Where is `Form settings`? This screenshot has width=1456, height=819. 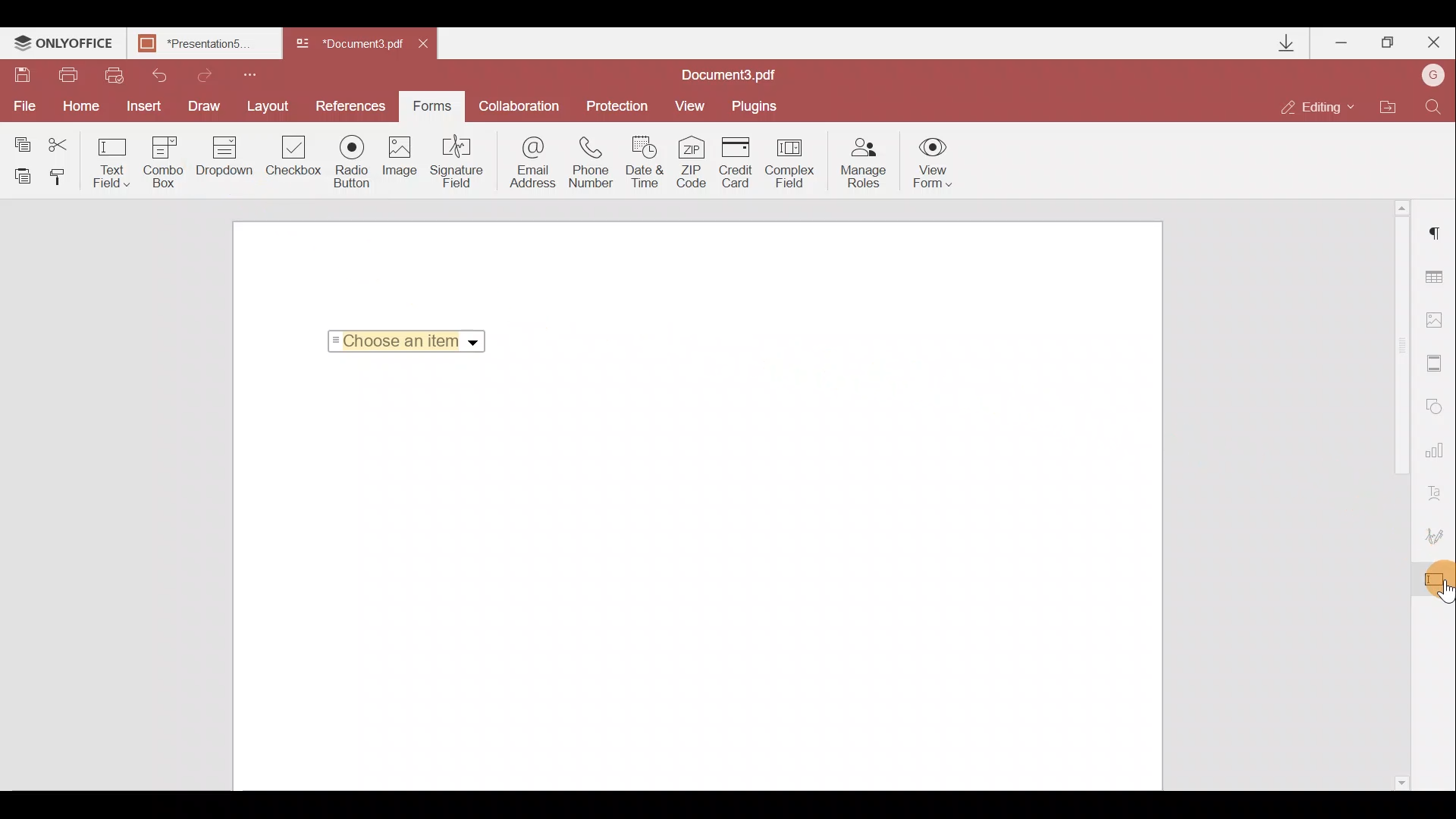 Form settings is located at coordinates (1441, 578).